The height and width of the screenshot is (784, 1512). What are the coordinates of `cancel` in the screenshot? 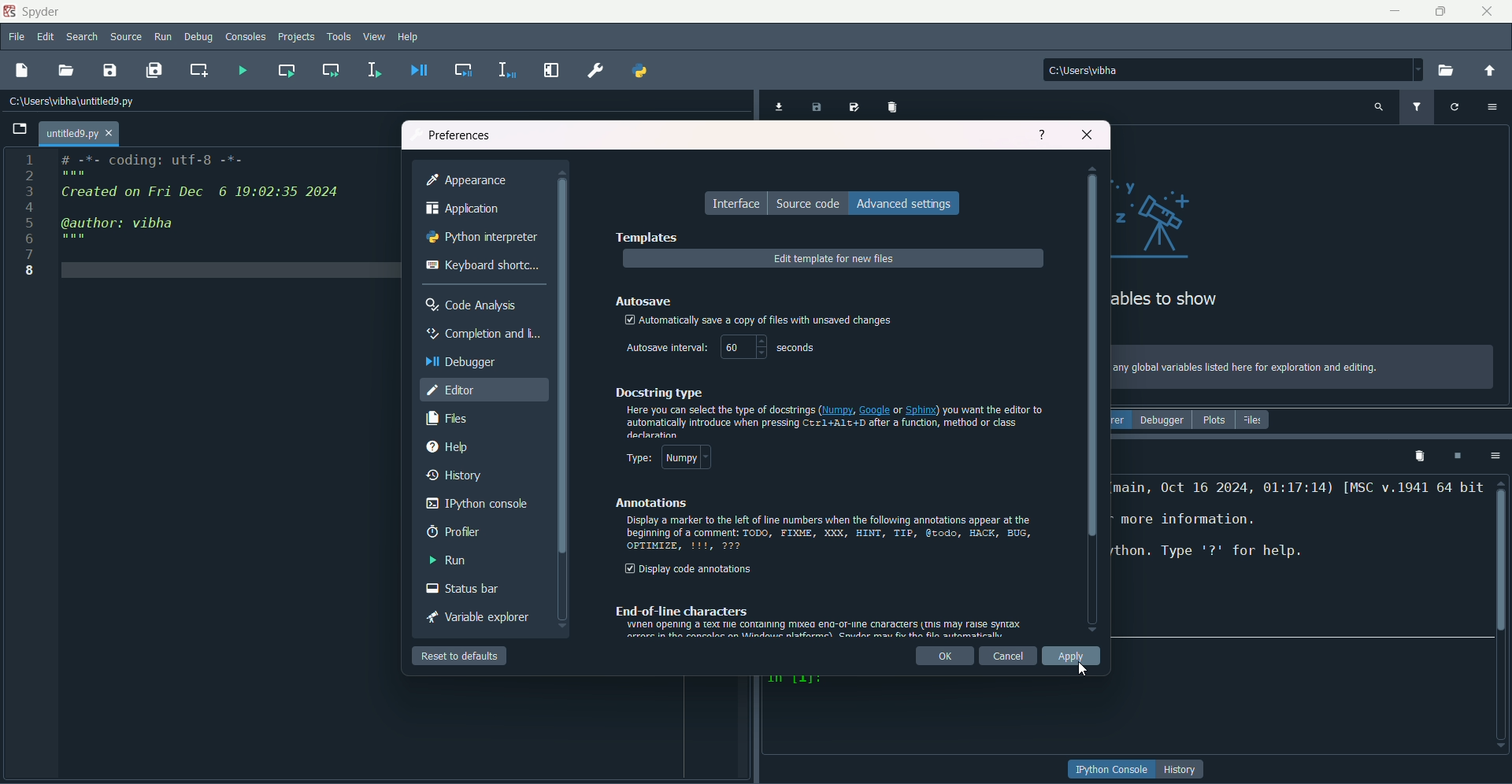 It's located at (1009, 657).